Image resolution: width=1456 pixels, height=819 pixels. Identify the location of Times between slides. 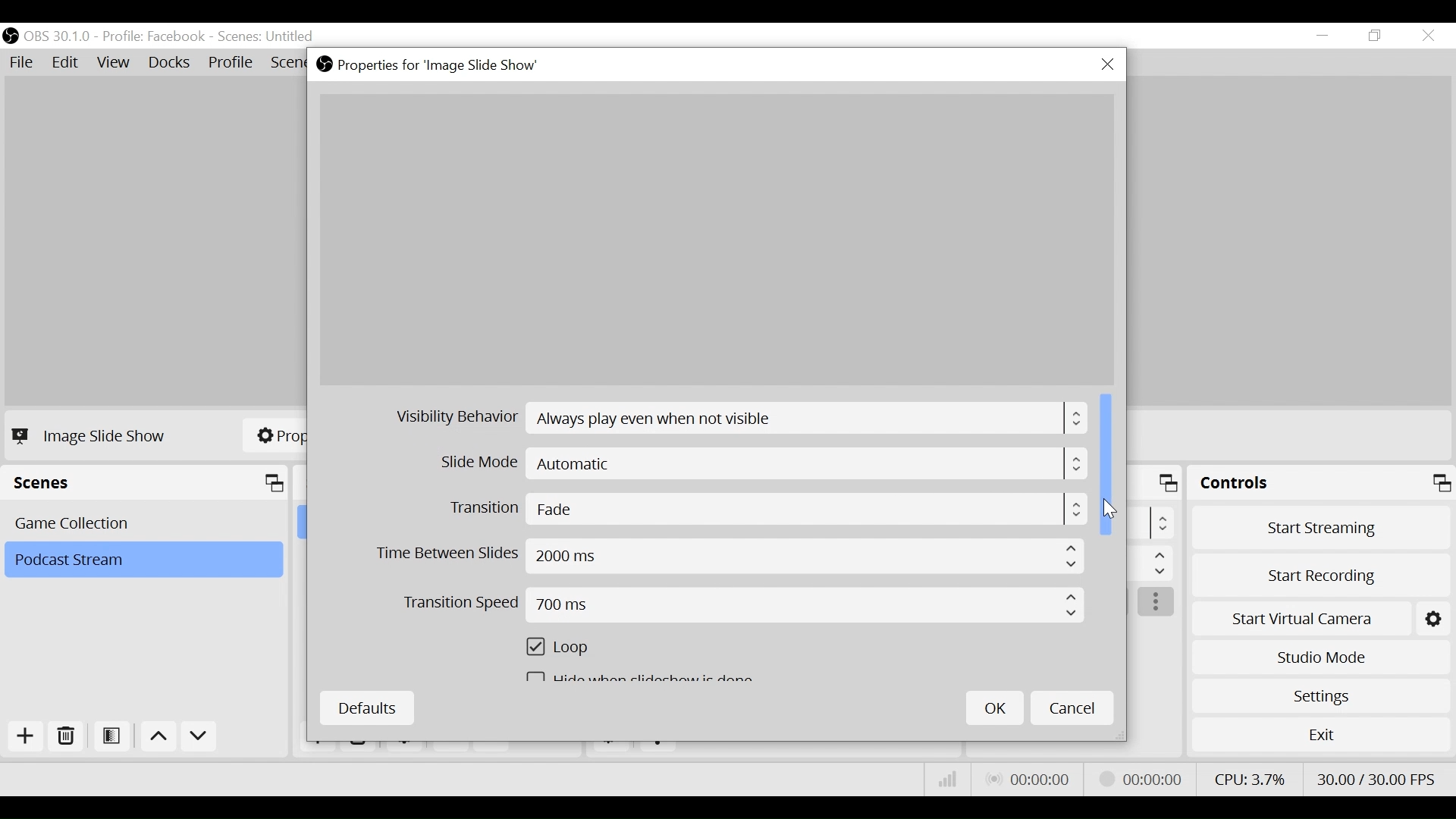
(730, 559).